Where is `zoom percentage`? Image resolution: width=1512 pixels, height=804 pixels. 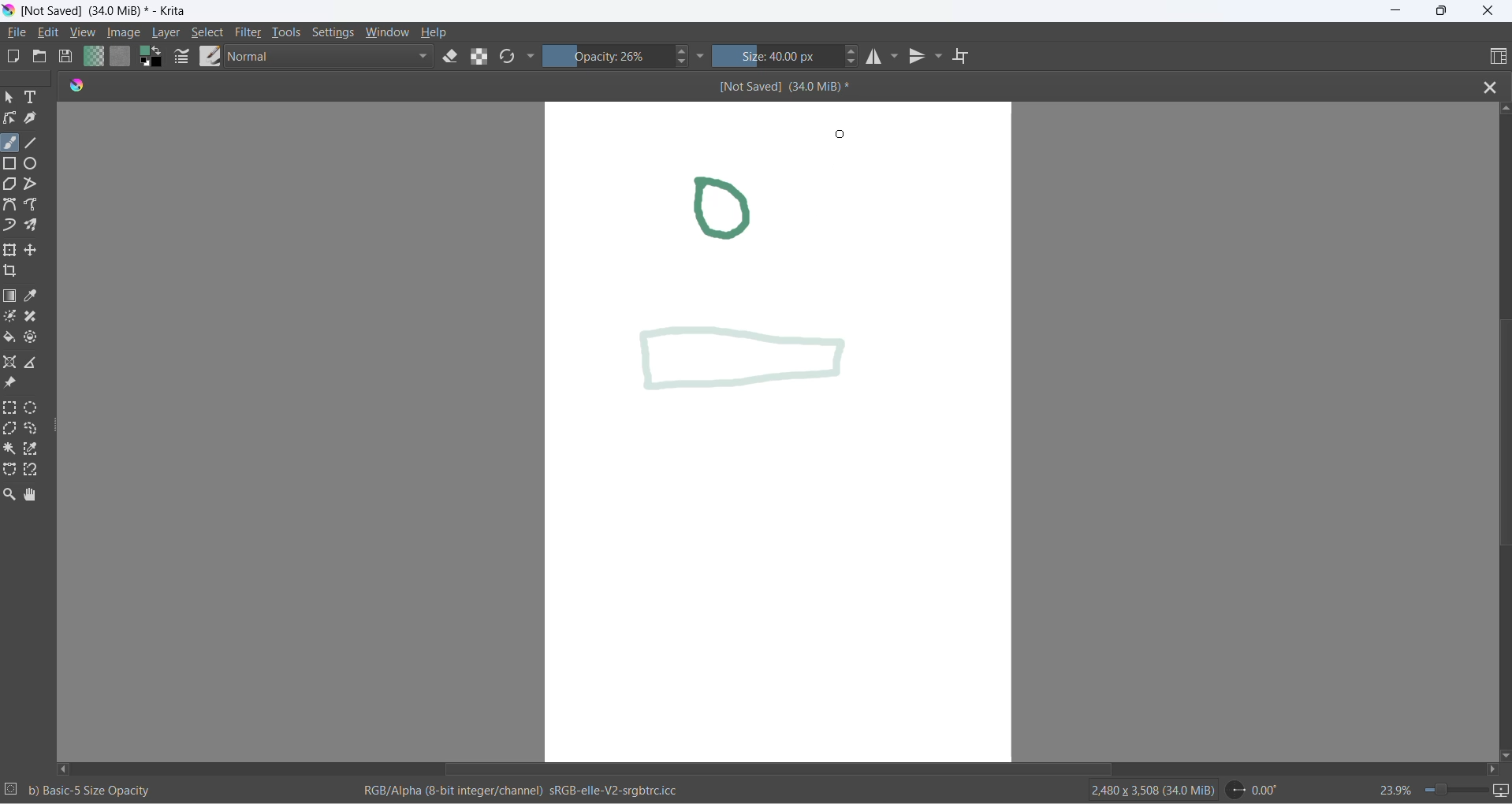 zoom percentage is located at coordinates (1386, 788).